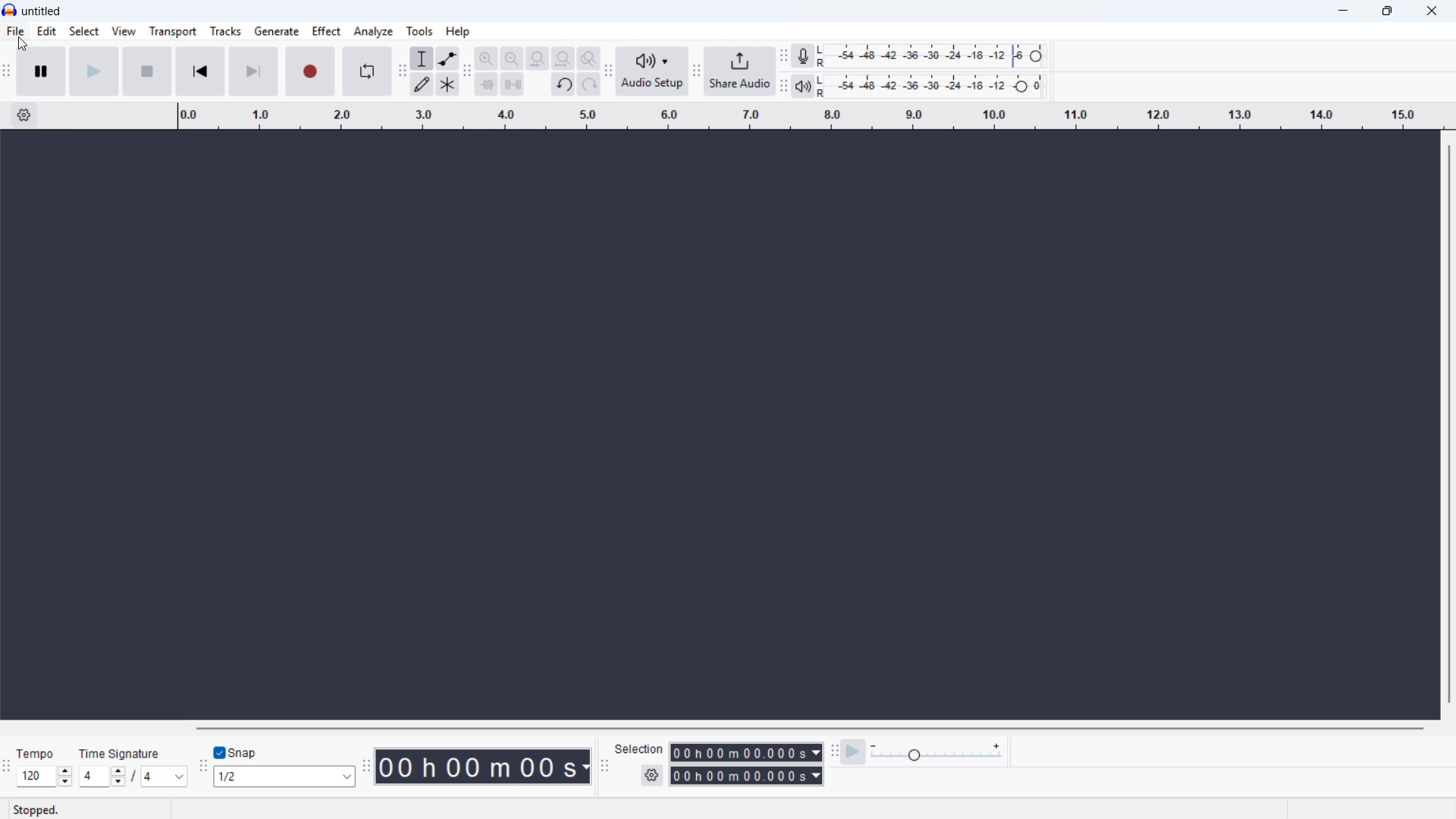 Image resolution: width=1456 pixels, height=819 pixels. Describe the element at coordinates (589, 85) in the screenshot. I see `Redo` at that location.